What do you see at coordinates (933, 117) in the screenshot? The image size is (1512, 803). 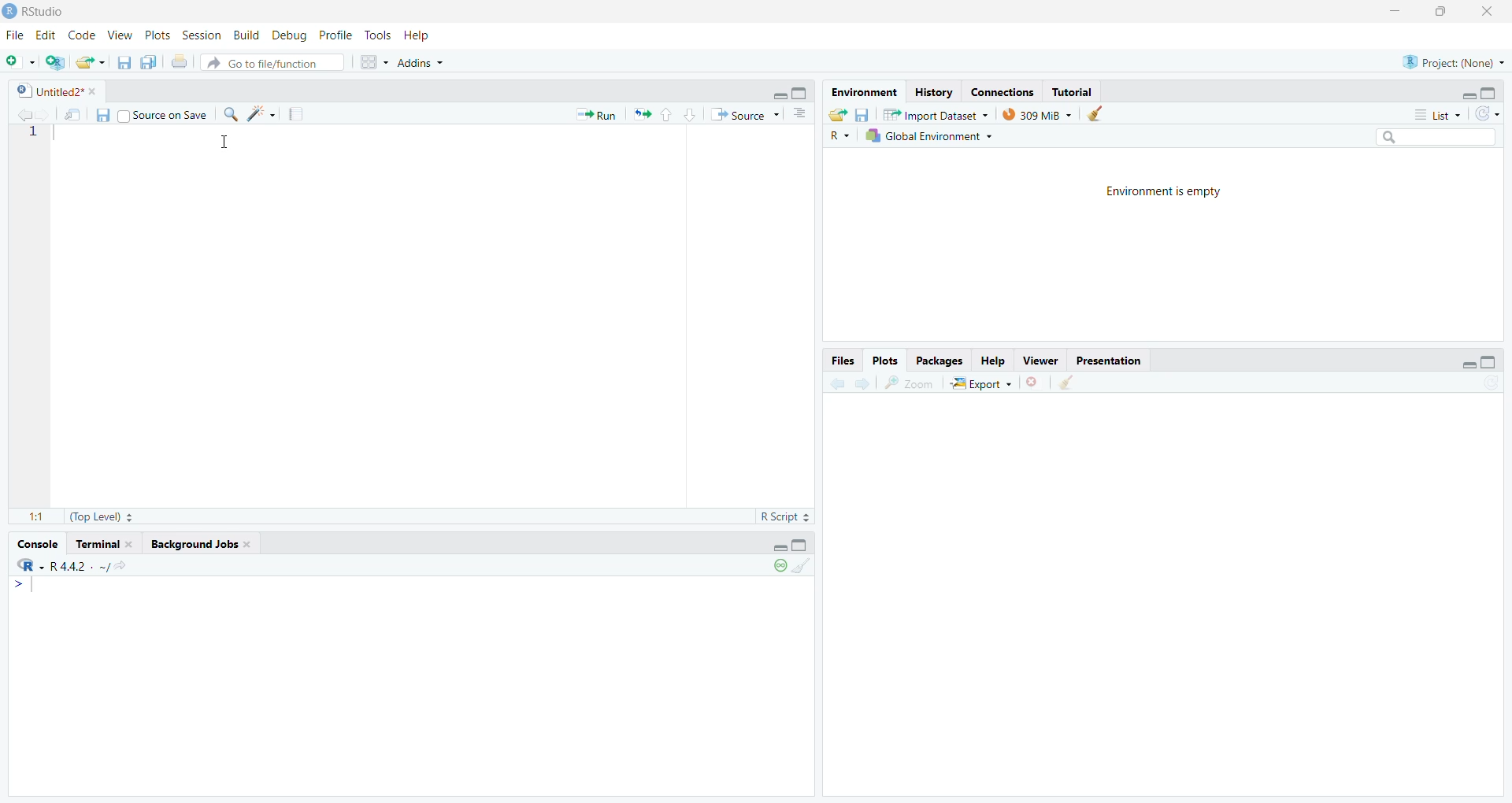 I see `IMport vataset ©` at bounding box center [933, 117].